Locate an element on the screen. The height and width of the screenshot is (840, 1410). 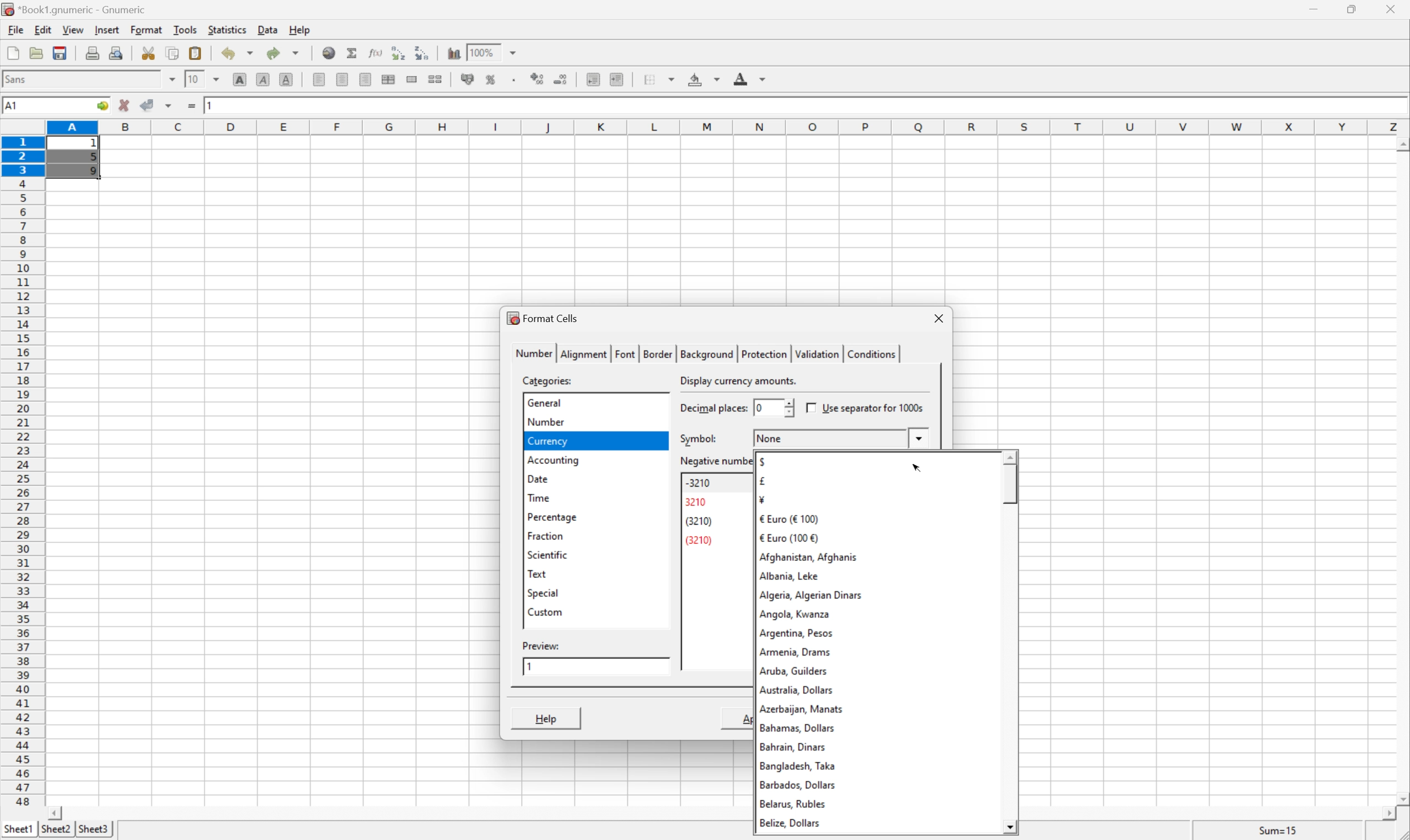
scientific is located at coordinates (548, 556).